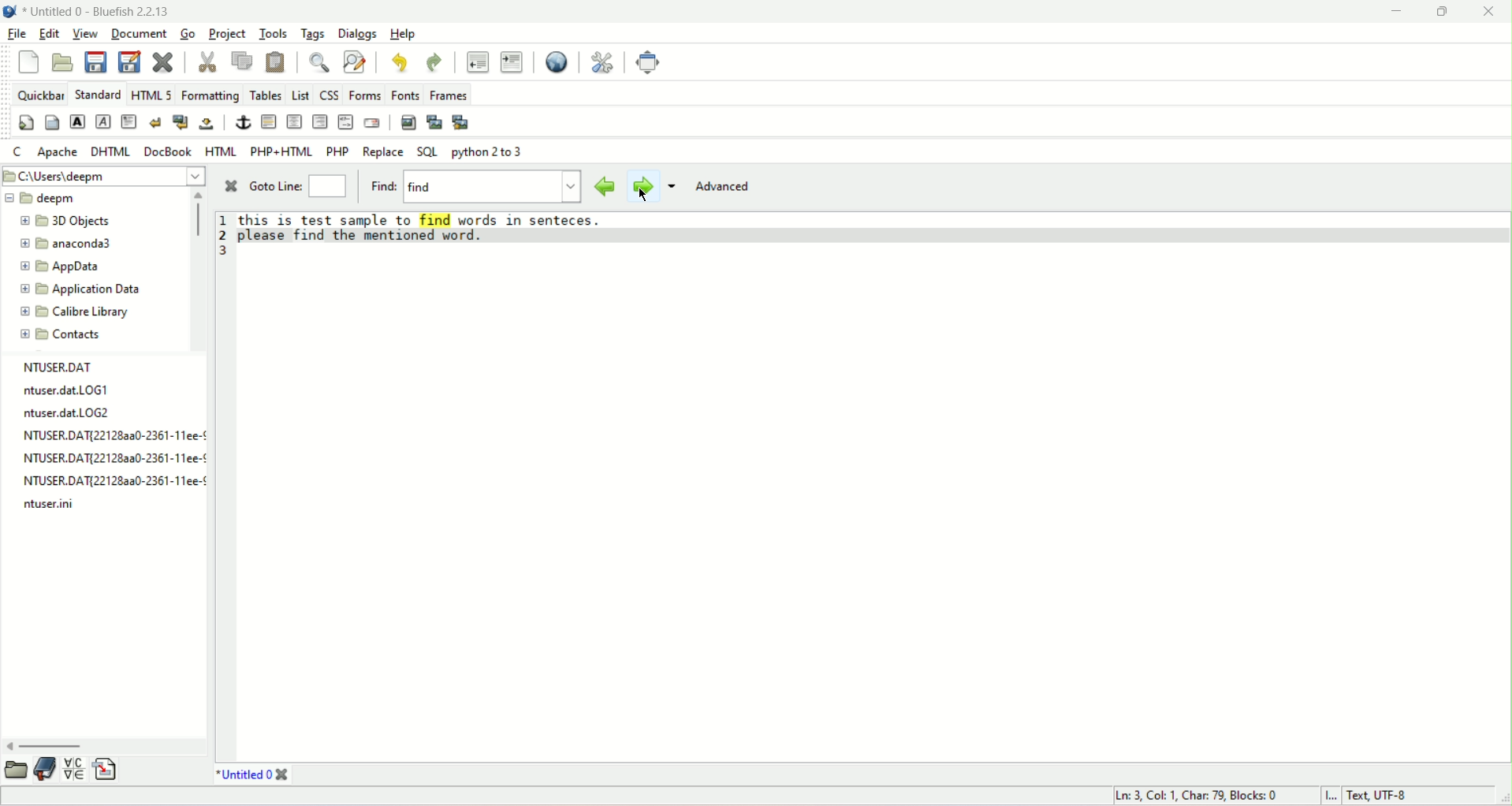  I want to click on goto line, so click(327, 185).